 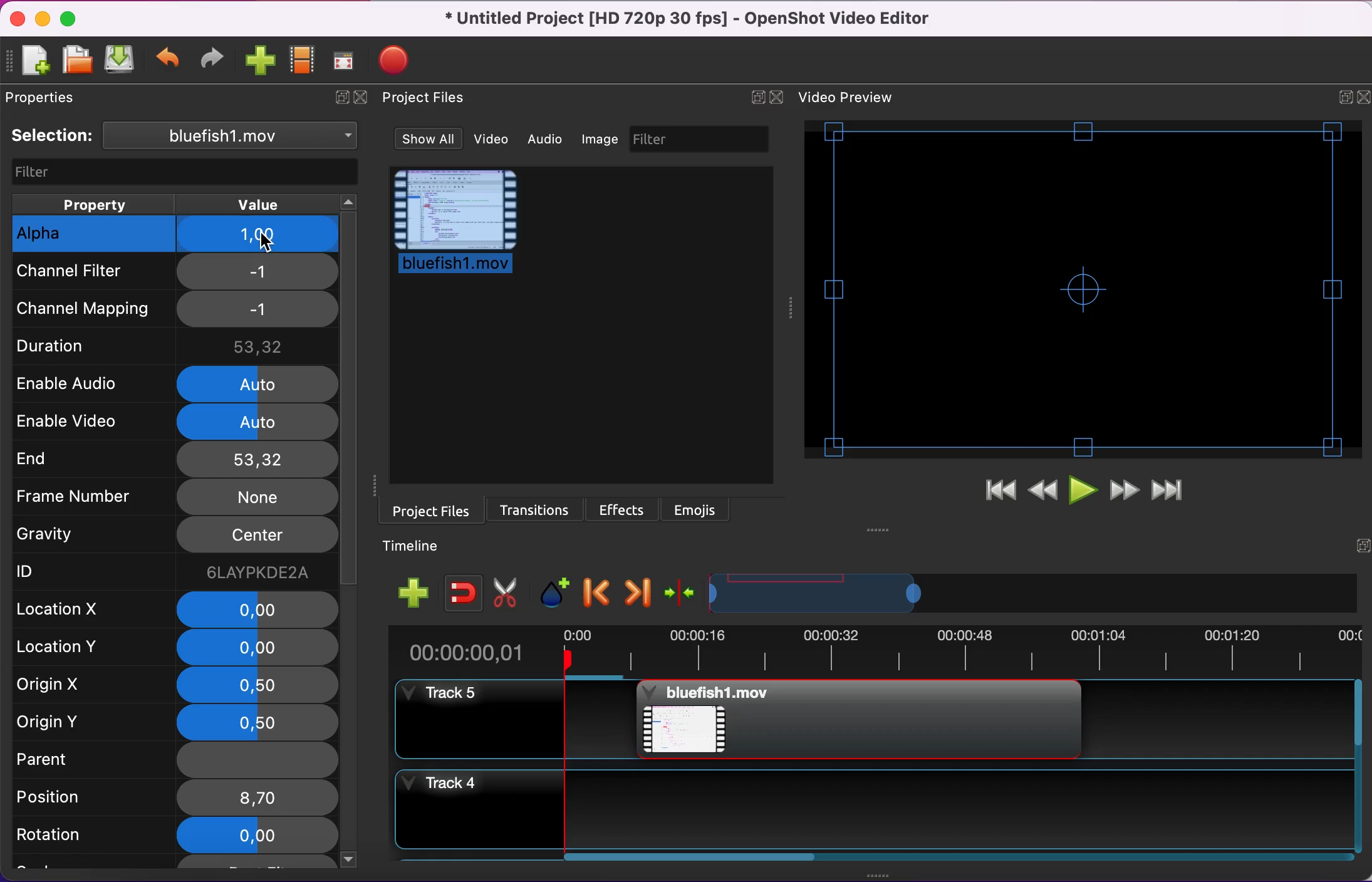 I want to click on enable snapping, so click(x=467, y=592).